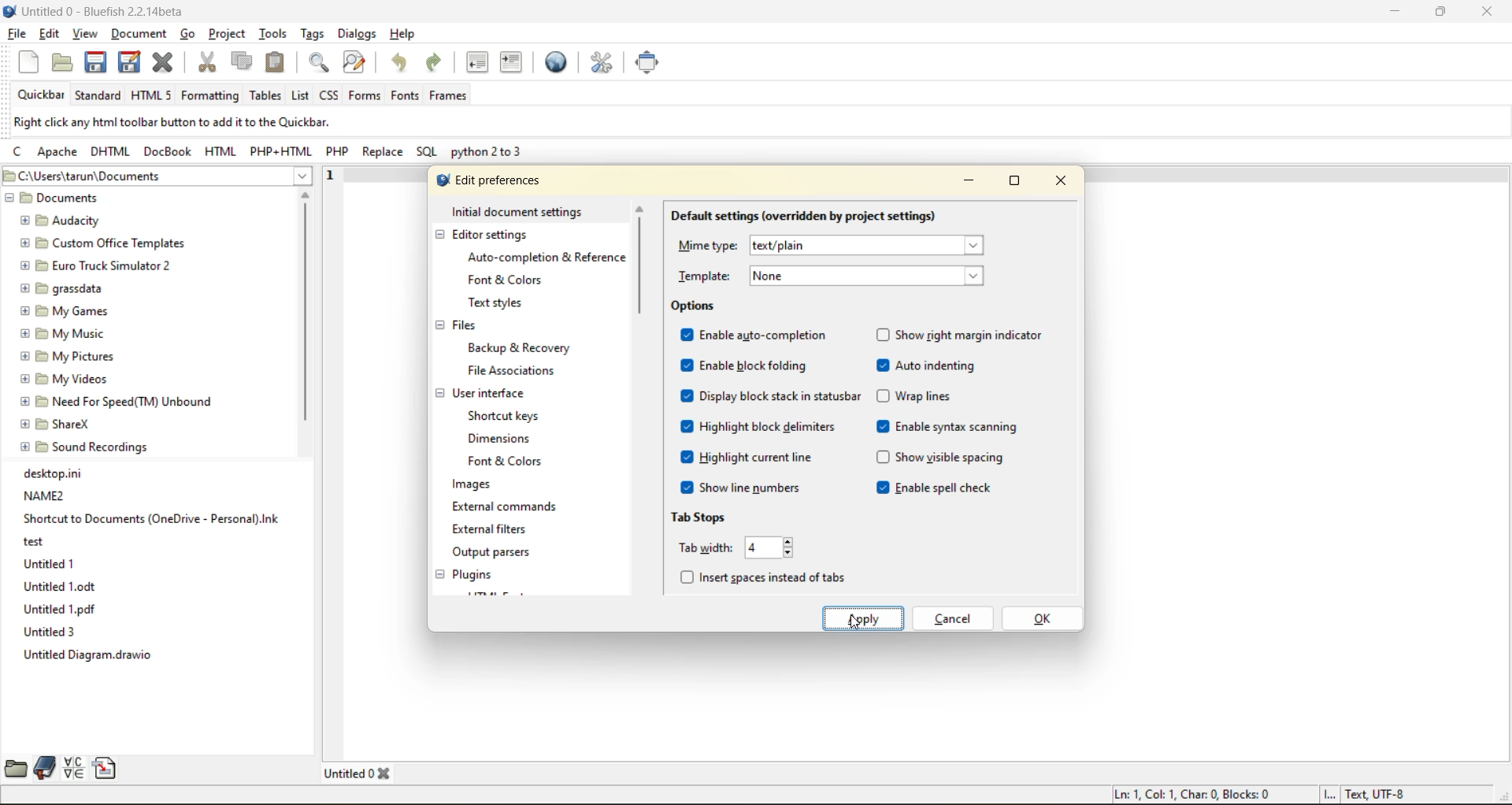 This screenshot has width=1512, height=805. I want to click on file location, so click(156, 177).